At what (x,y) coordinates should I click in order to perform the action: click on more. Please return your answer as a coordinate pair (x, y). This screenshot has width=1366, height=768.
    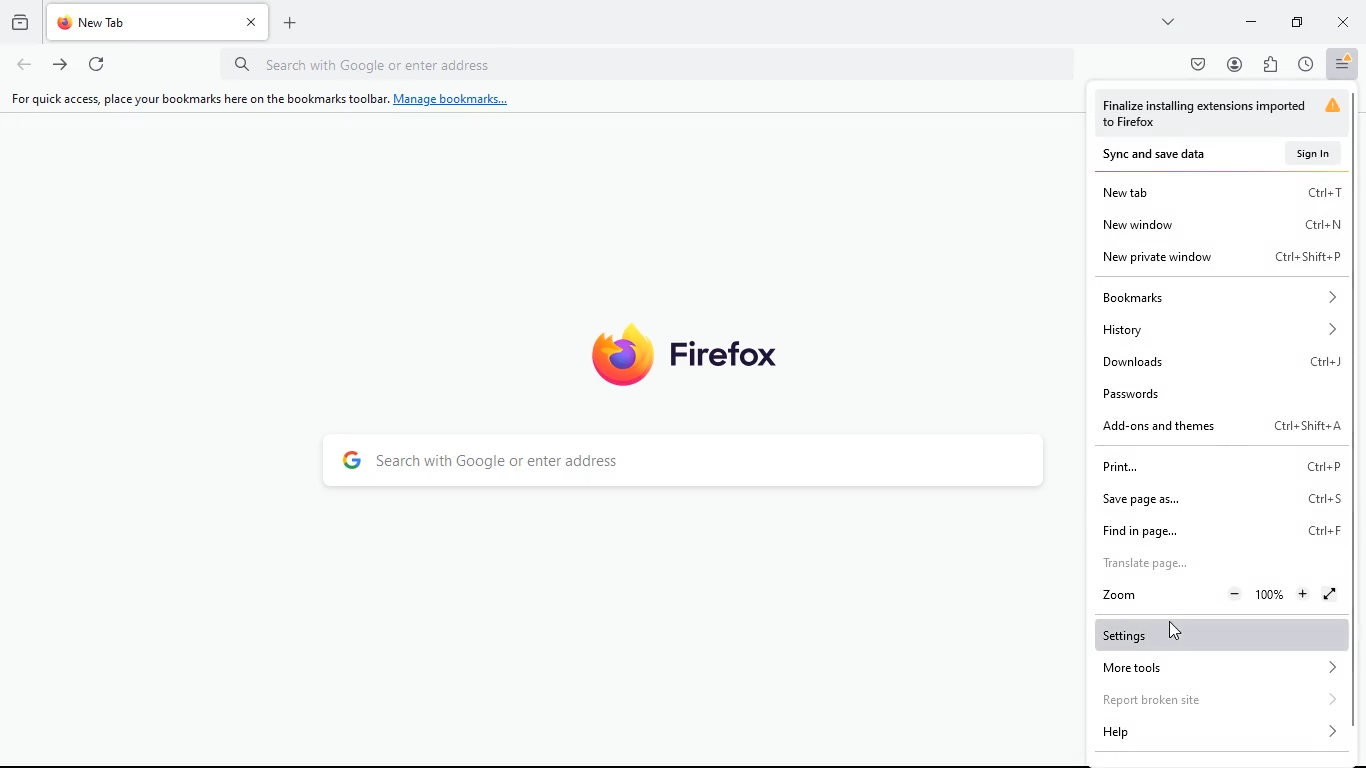
    Looking at the image, I should click on (1170, 21).